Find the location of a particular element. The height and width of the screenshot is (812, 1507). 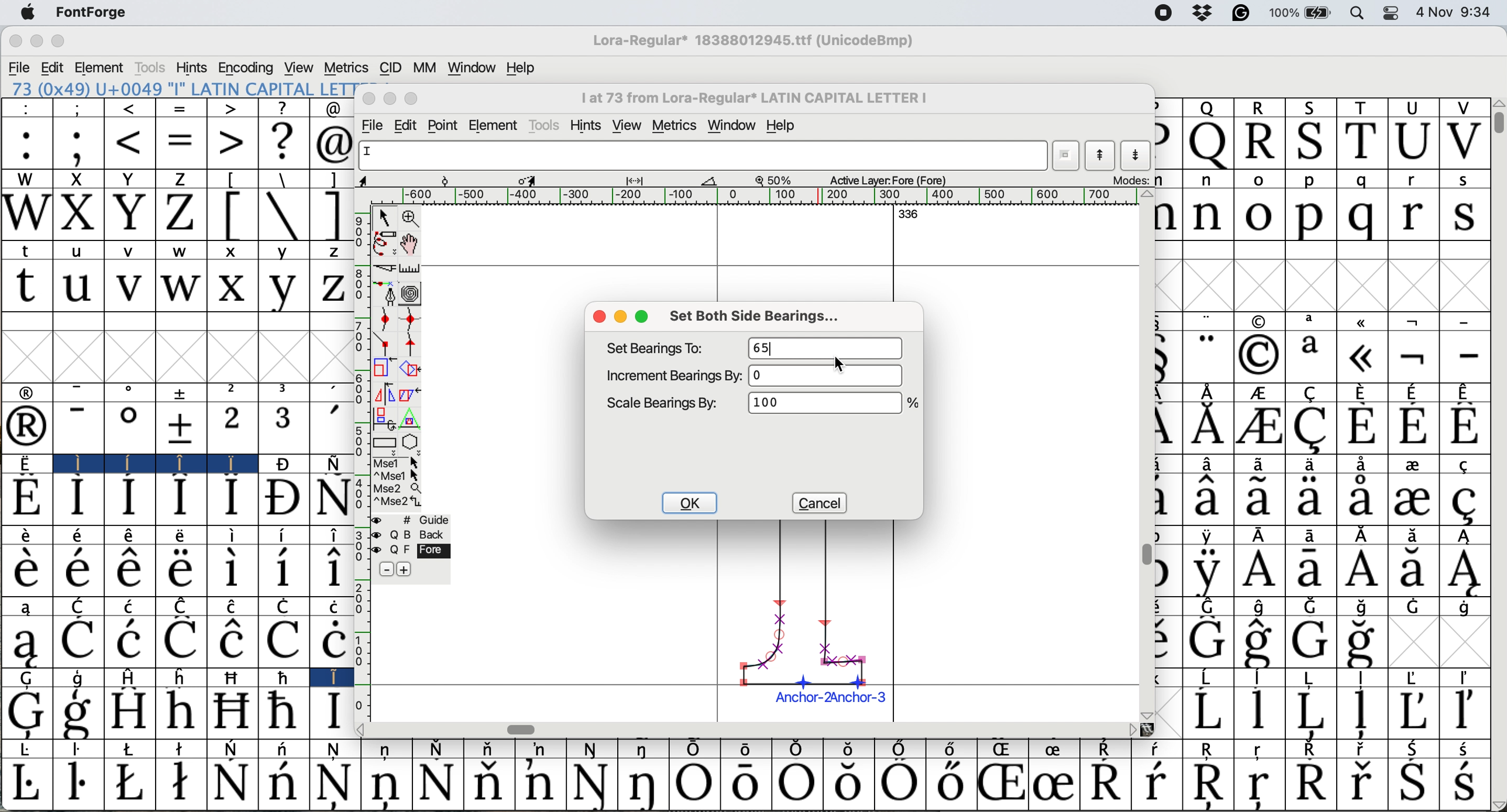

Symbol is located at coordinates (77, 569).